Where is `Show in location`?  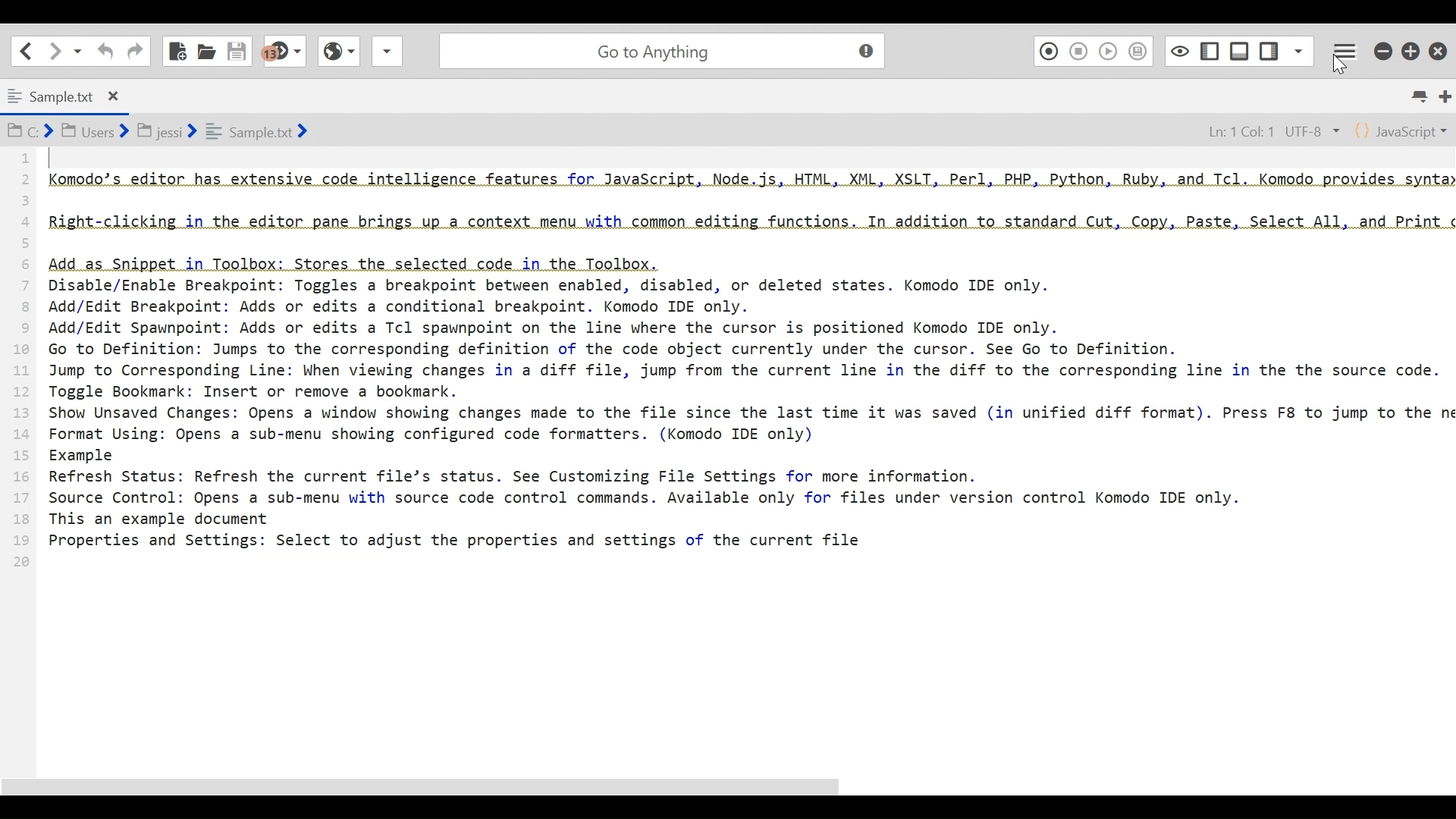 Show in location is located at coordinates (159, 130).